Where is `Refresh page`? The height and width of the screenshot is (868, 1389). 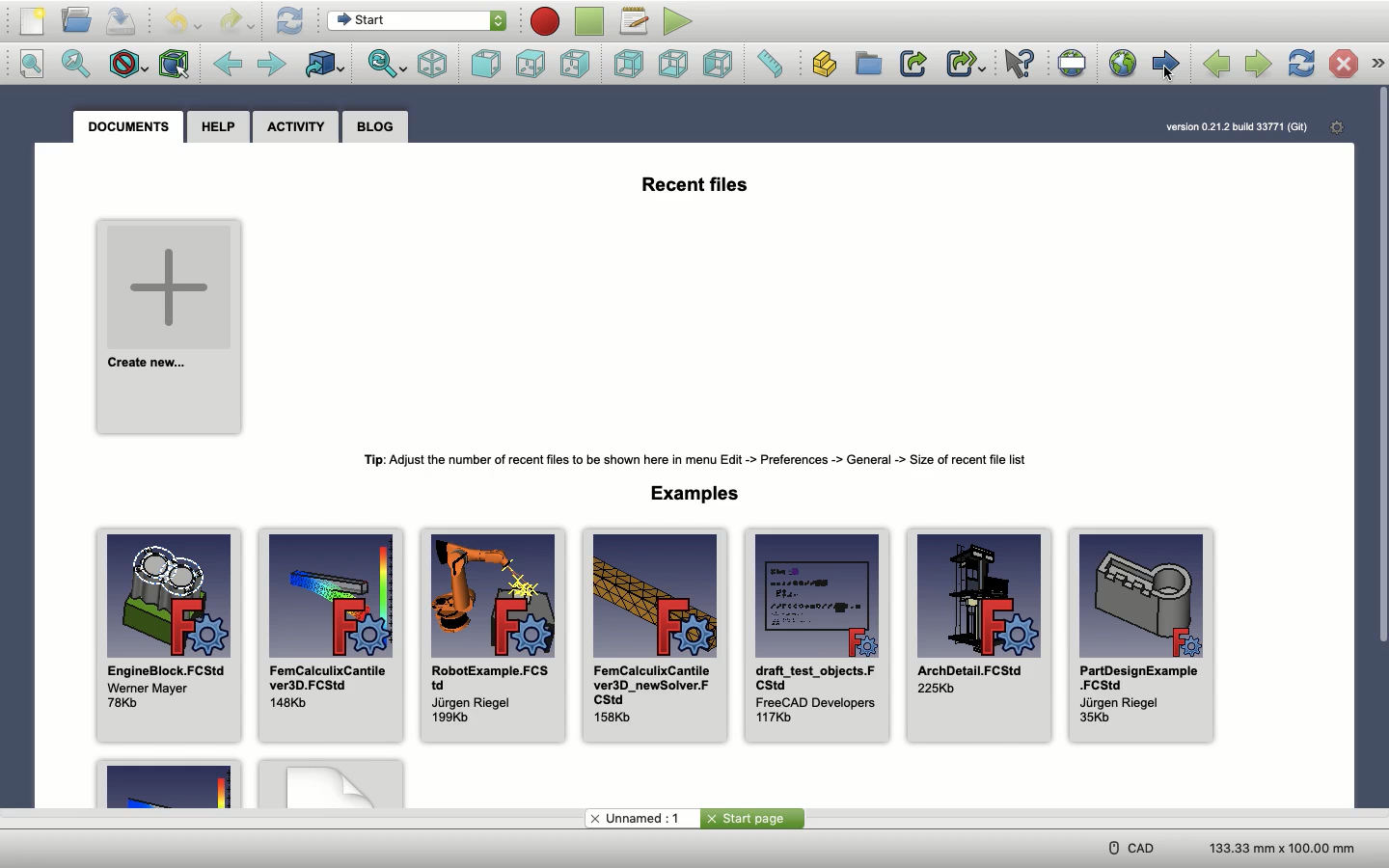 Refresh page is located at coordinates (1301, 64).